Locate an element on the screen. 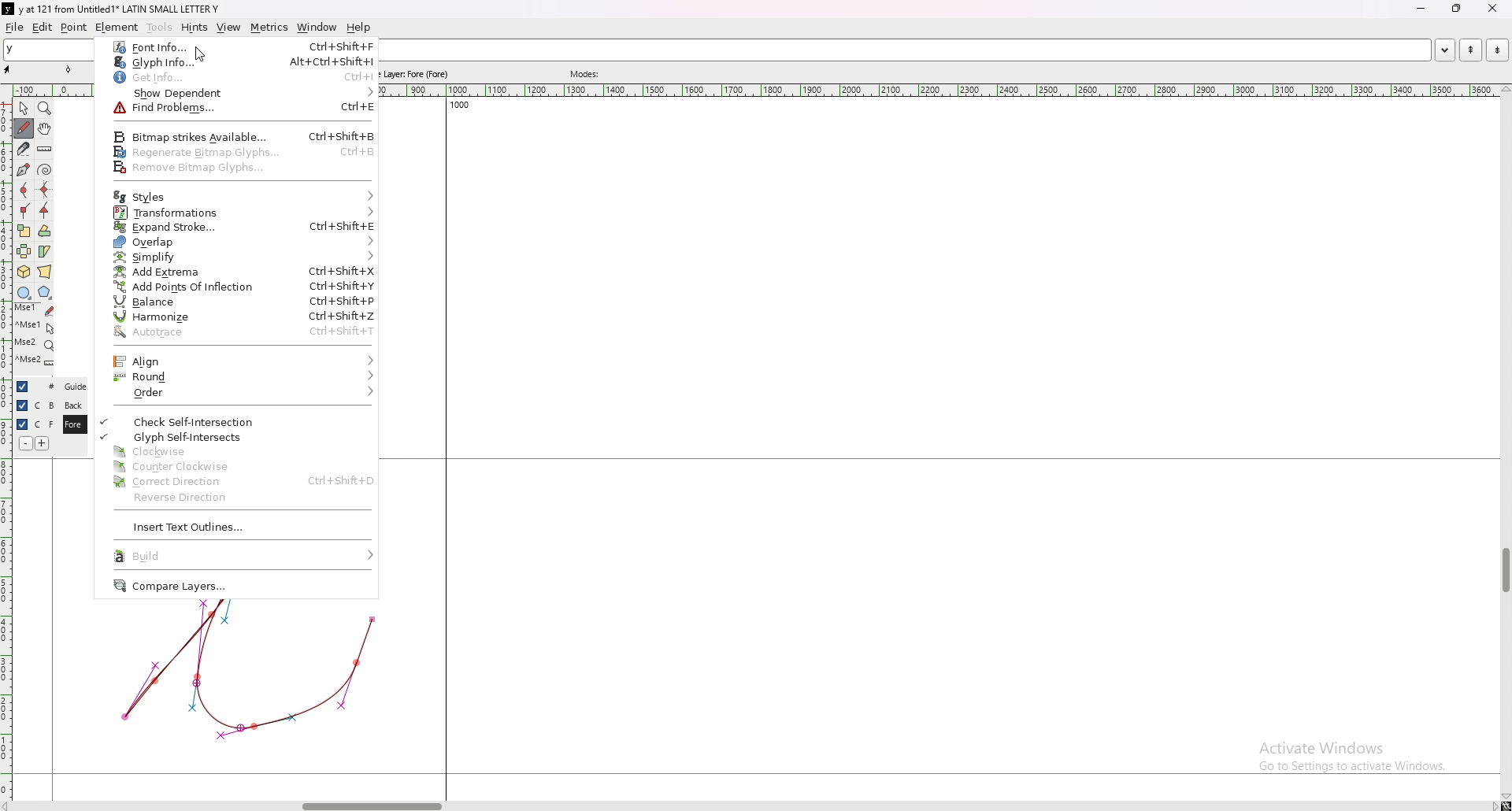 Image resolution: width=1512 pixels, height=811 pixels. glyph info is located at coordinates (238, 63).